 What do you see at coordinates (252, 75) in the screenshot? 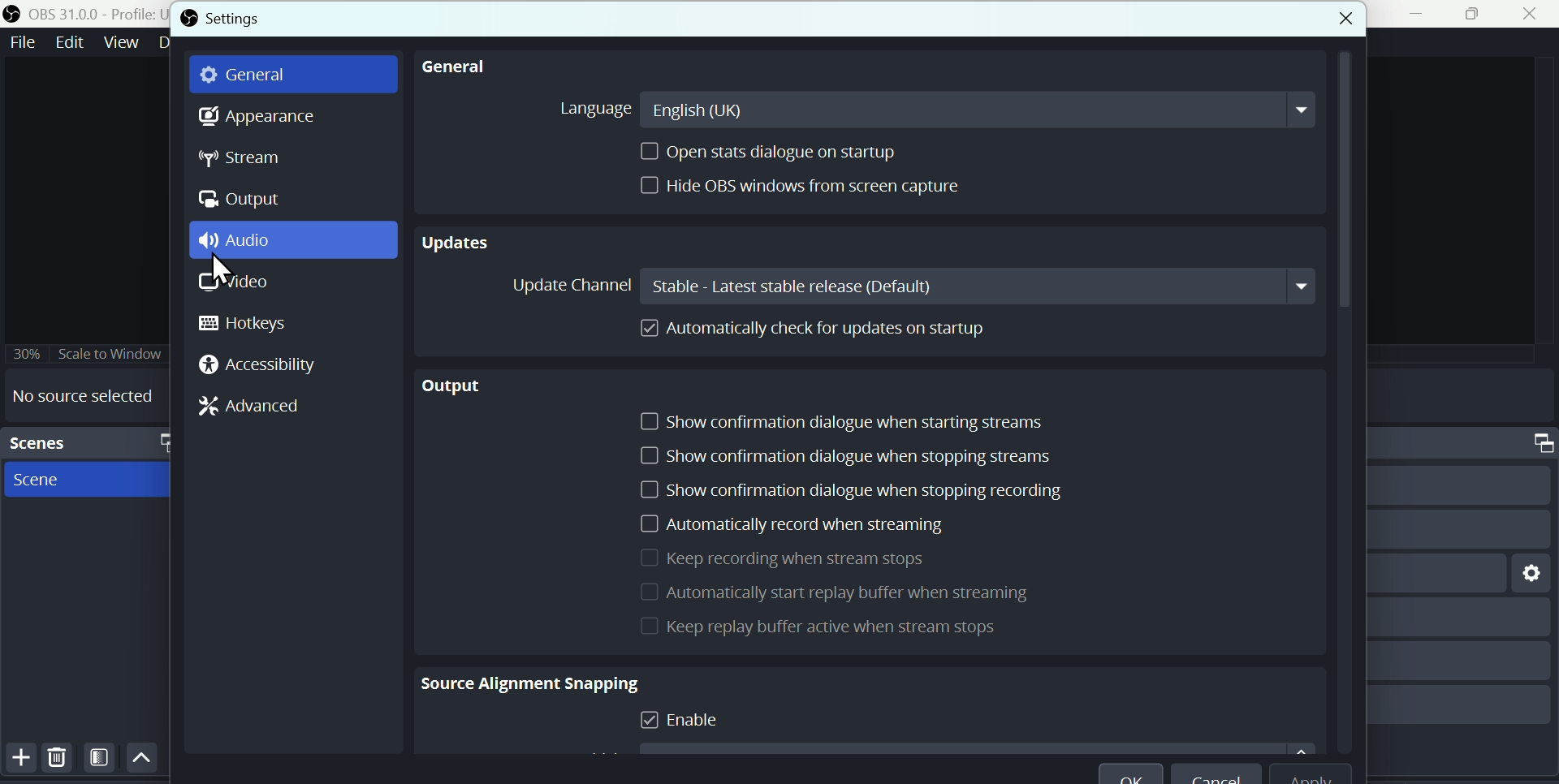
I see `general` at bounding box center [252, 75].